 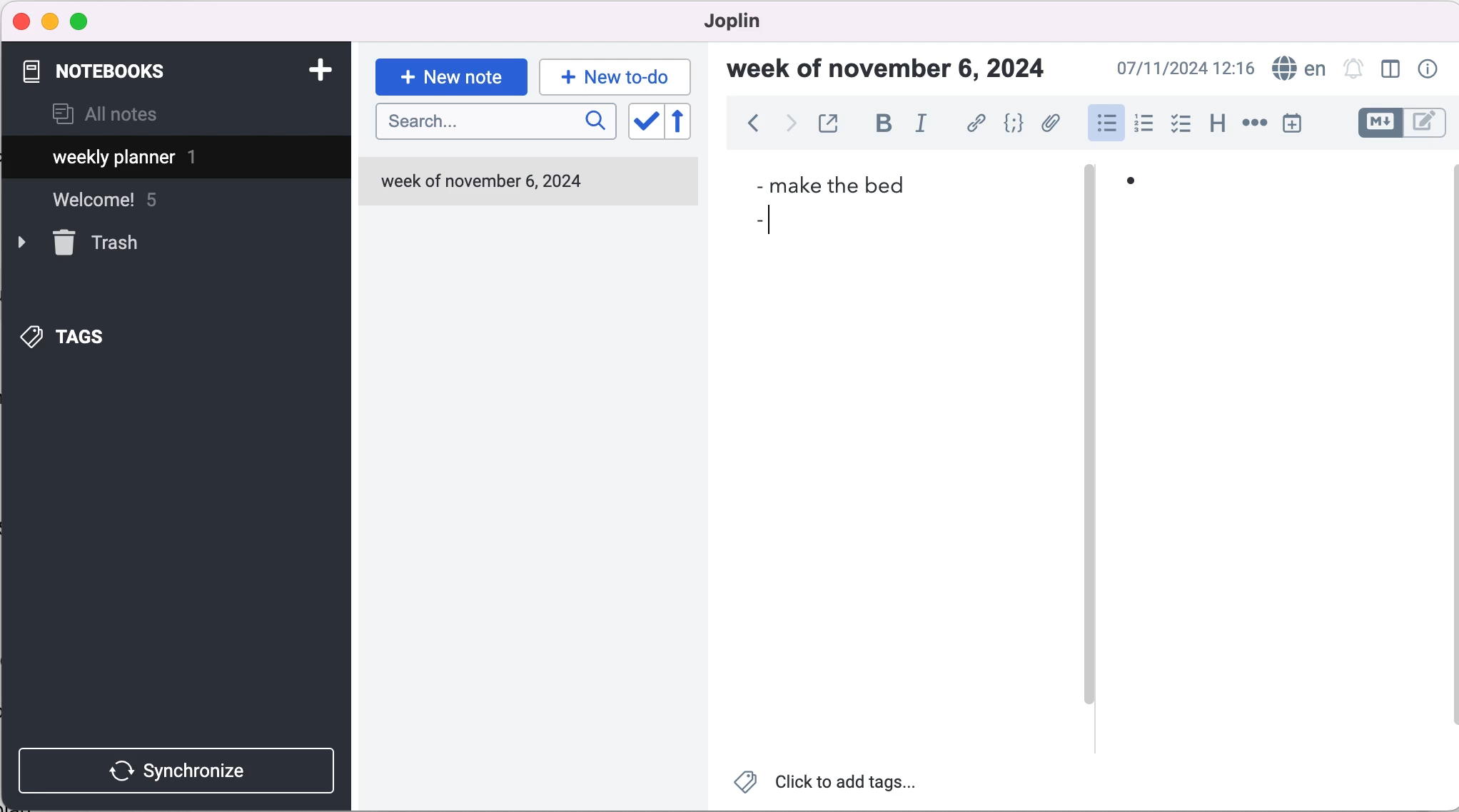 I want to click on heading, so click(x=1216, y=121).